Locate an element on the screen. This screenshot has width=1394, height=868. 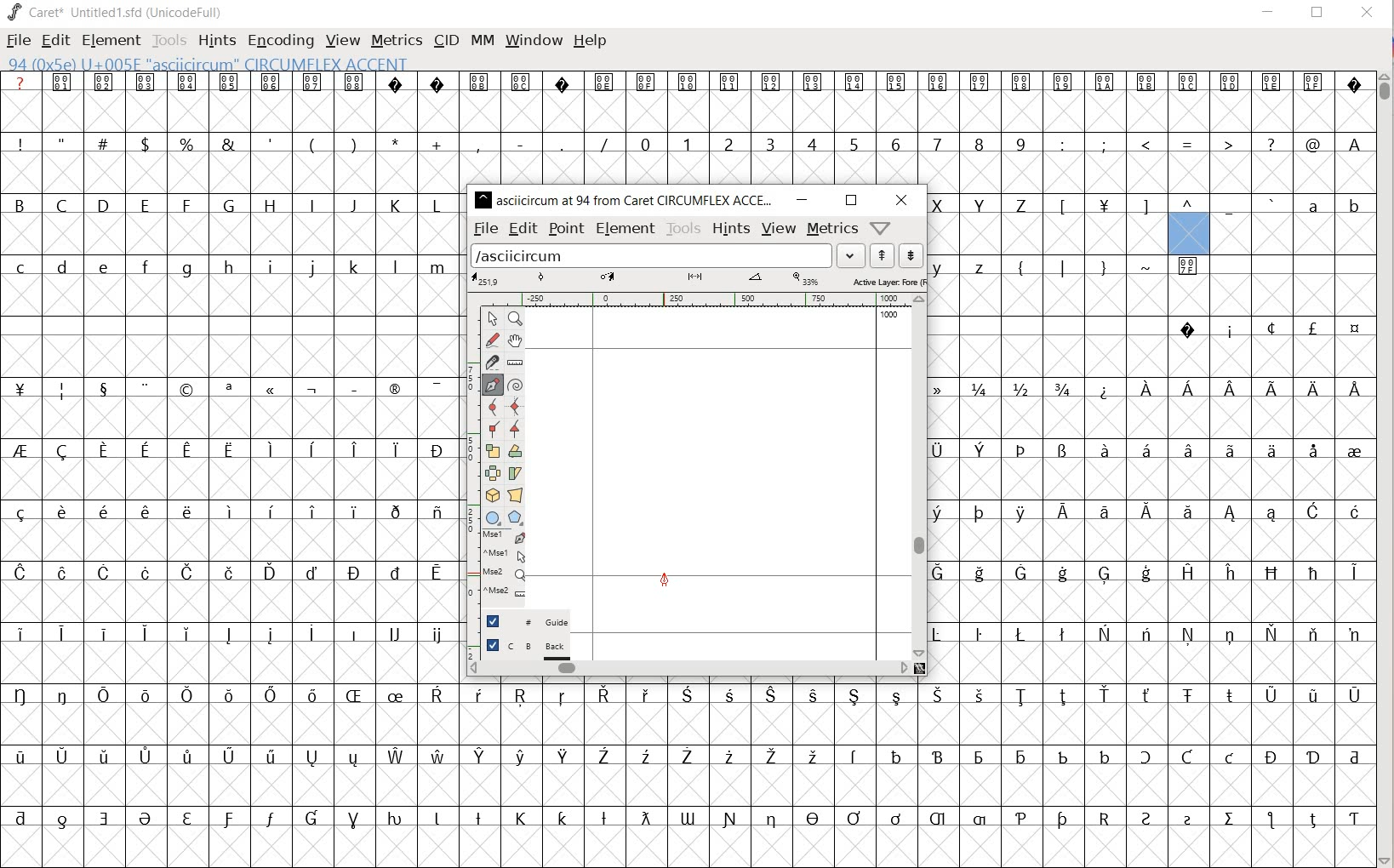
94 0xSe U+00SE "asciicircum" CIRCUMFLEX ACCENT is located at coordinates (1191, 221).